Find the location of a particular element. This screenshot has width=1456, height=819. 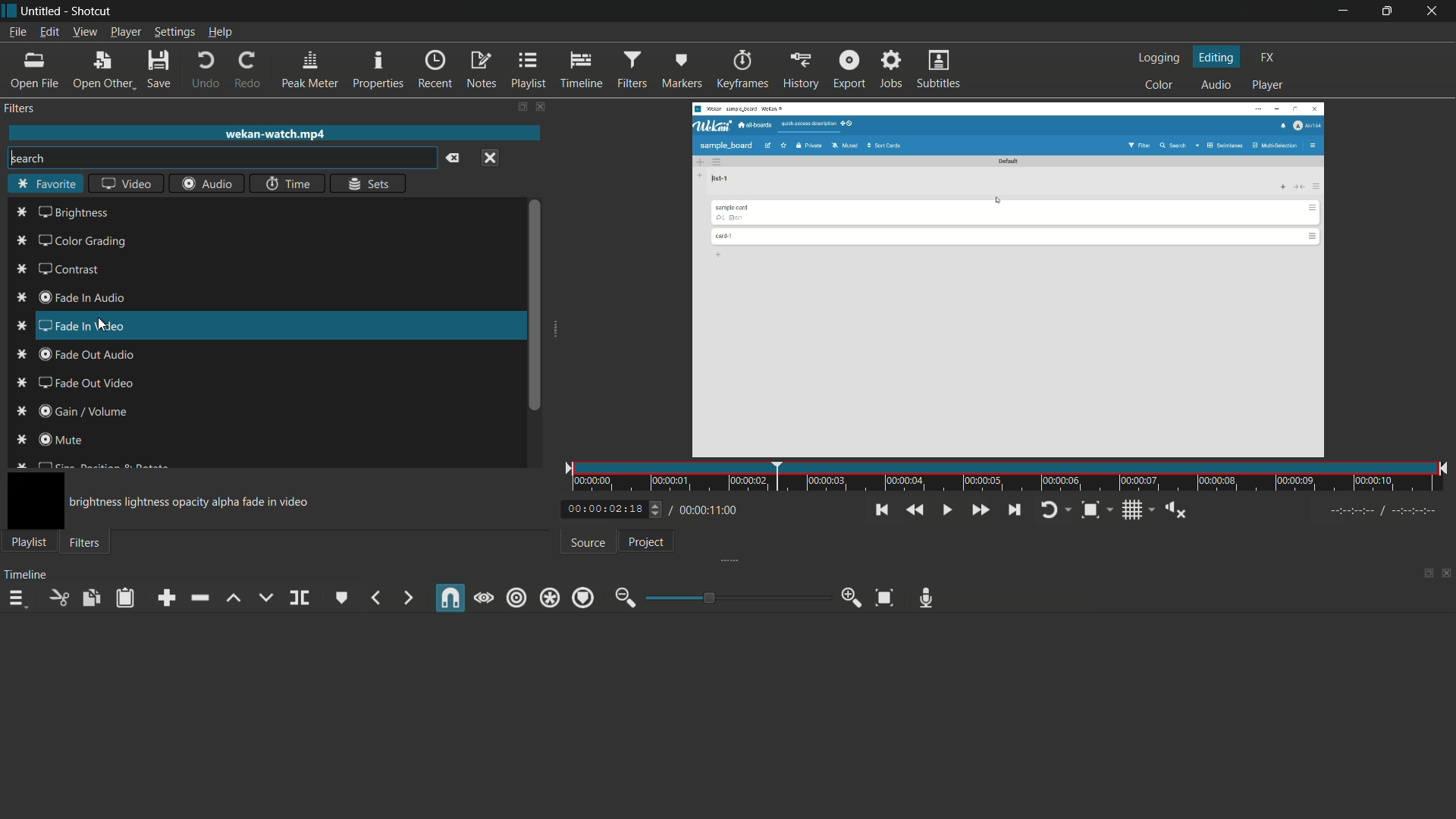

text is located at coordinates (193, 503).